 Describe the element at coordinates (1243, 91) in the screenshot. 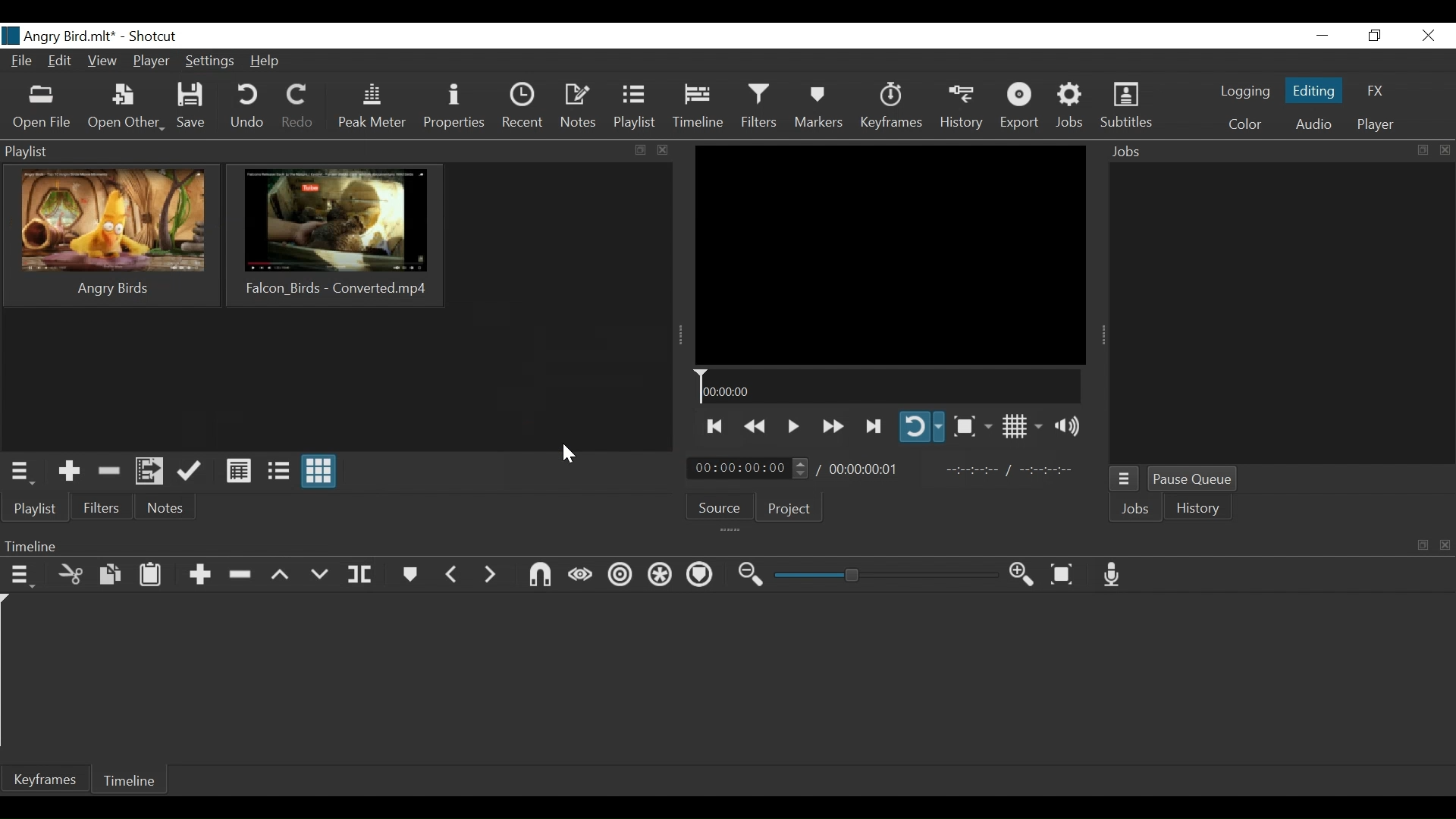

I see `logging` at that location.